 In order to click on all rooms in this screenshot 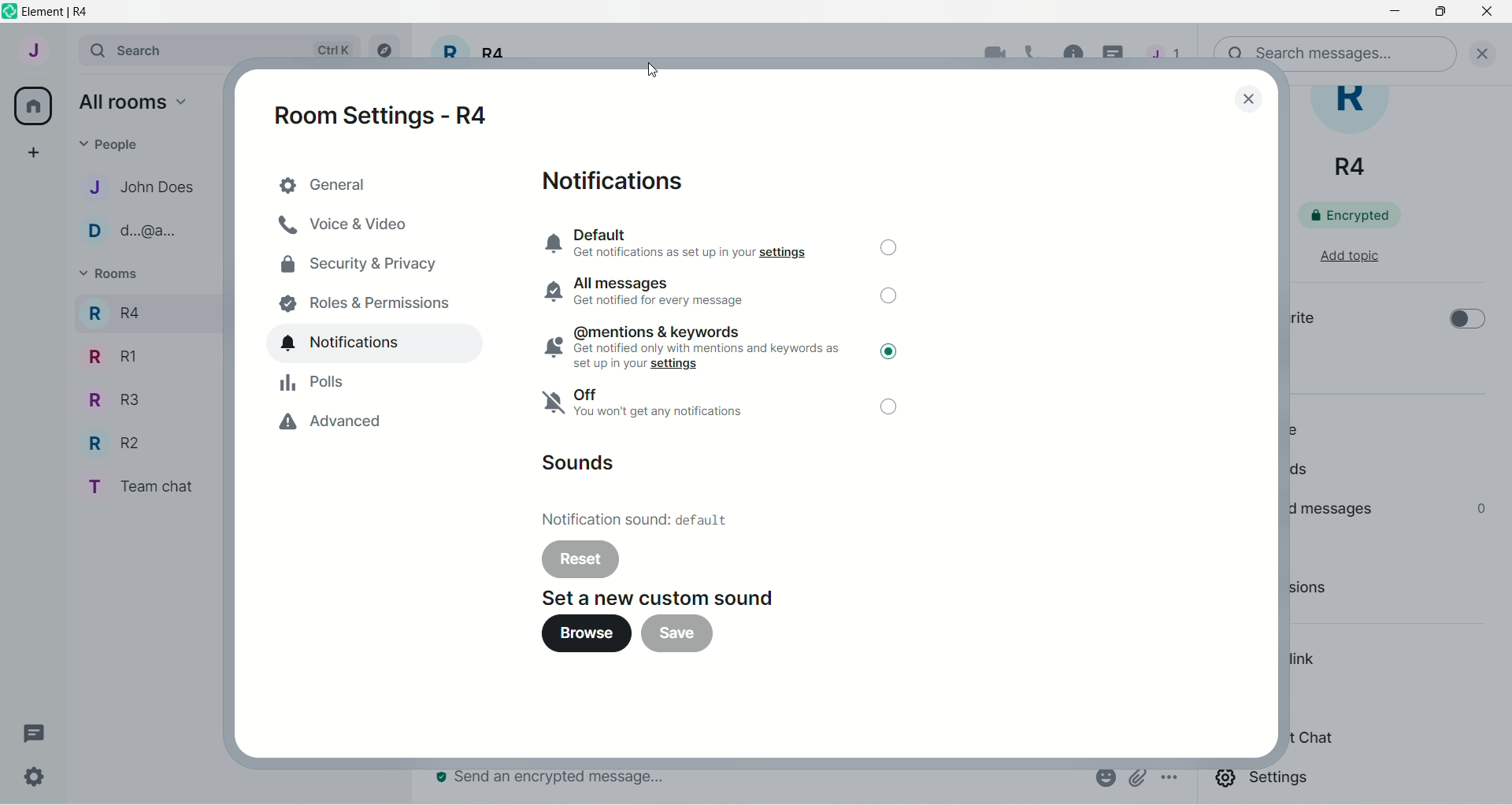, I will do `click(34, 106)`.